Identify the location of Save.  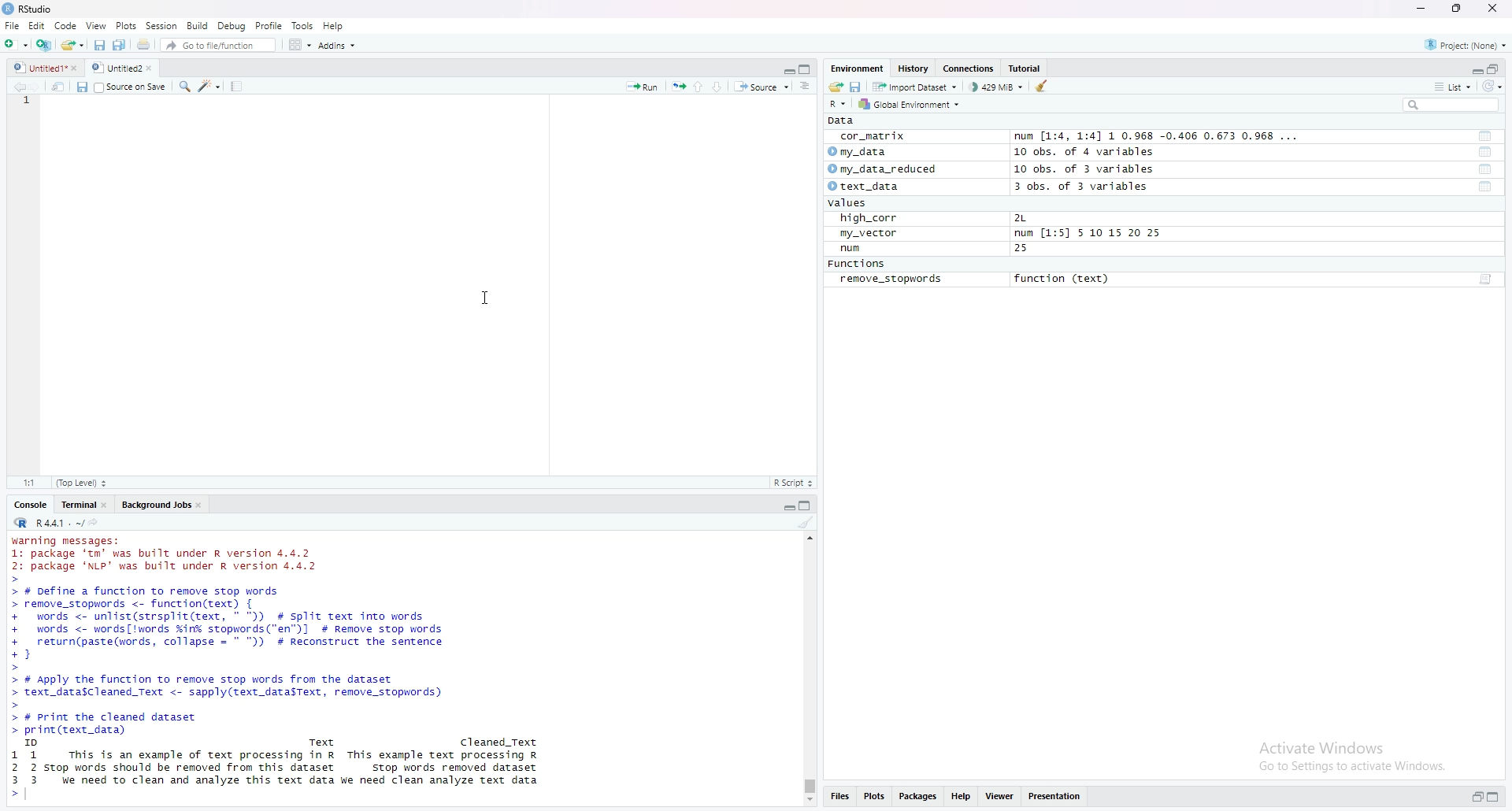
(97, 45).